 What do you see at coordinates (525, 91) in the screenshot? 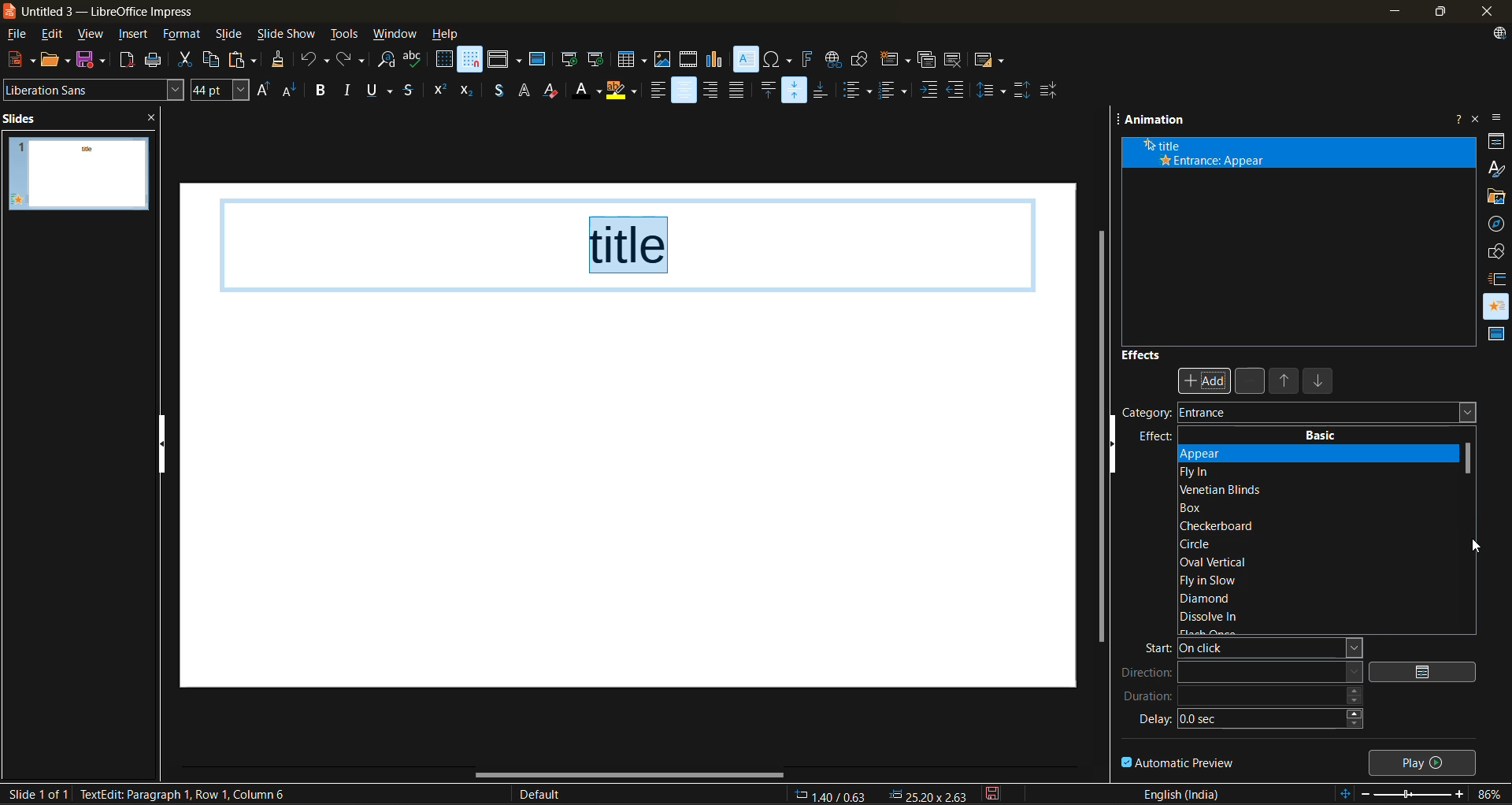
I see `apply outline` at bounding box center [525, 91].